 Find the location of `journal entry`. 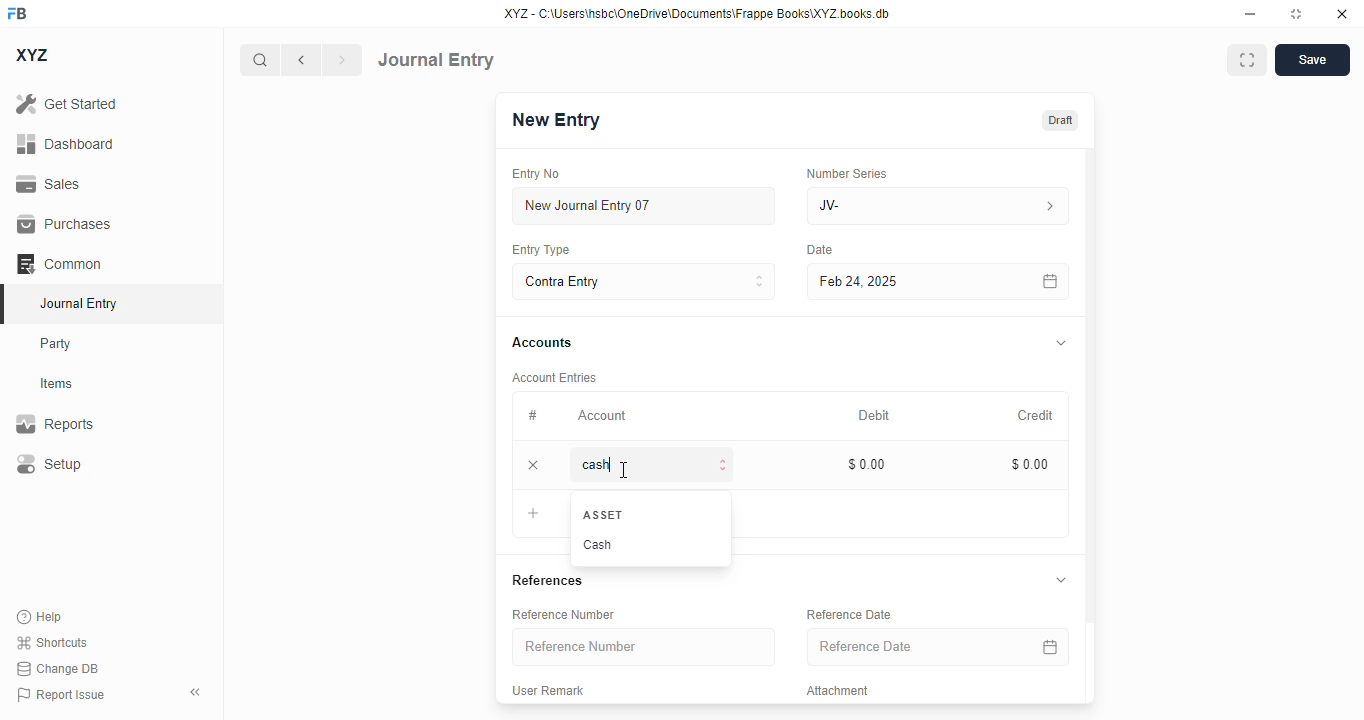

journal entry is located at coordinates (436, 60).